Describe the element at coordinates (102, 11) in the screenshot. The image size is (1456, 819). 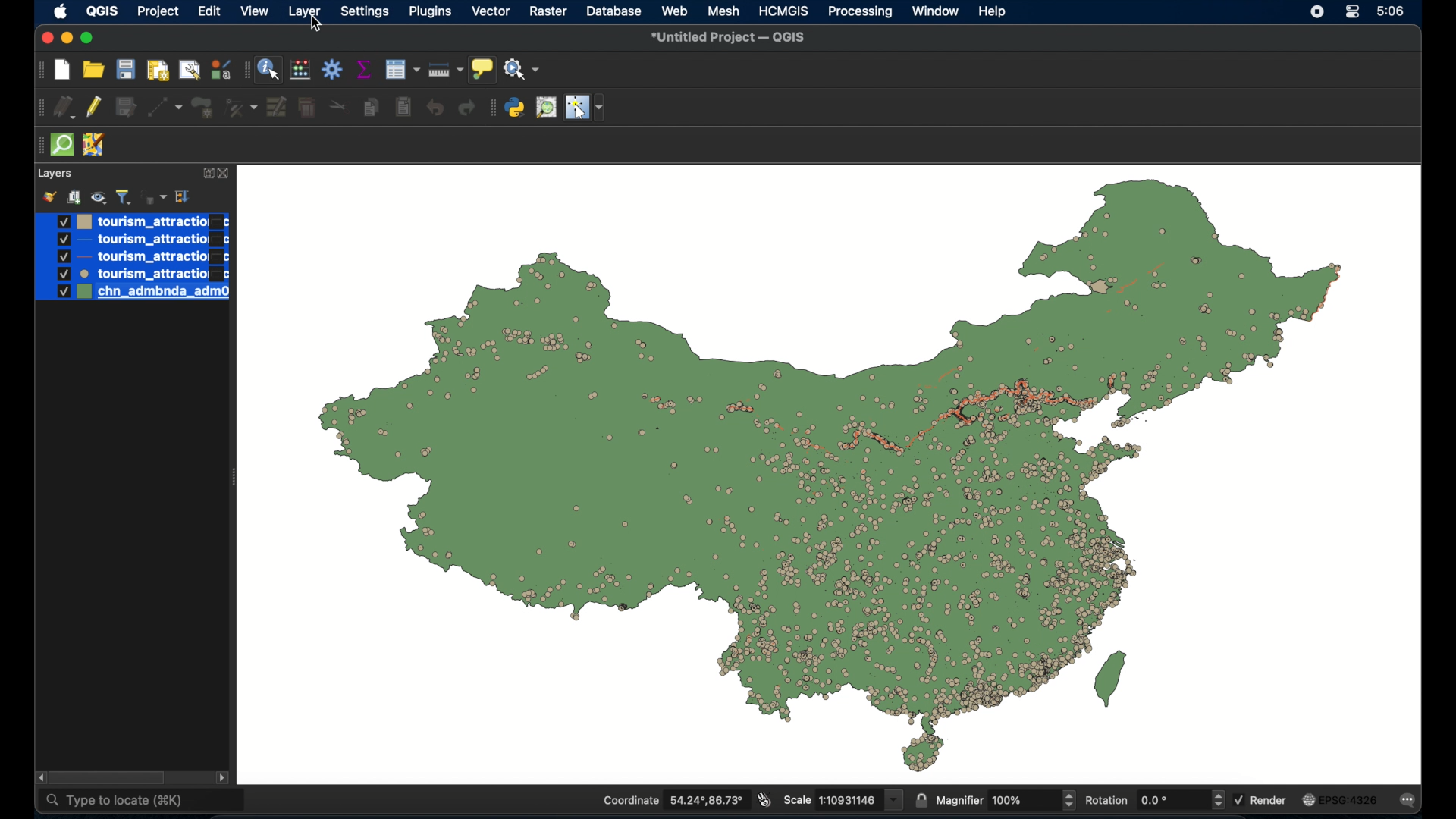
I see `QGIS` at that location.